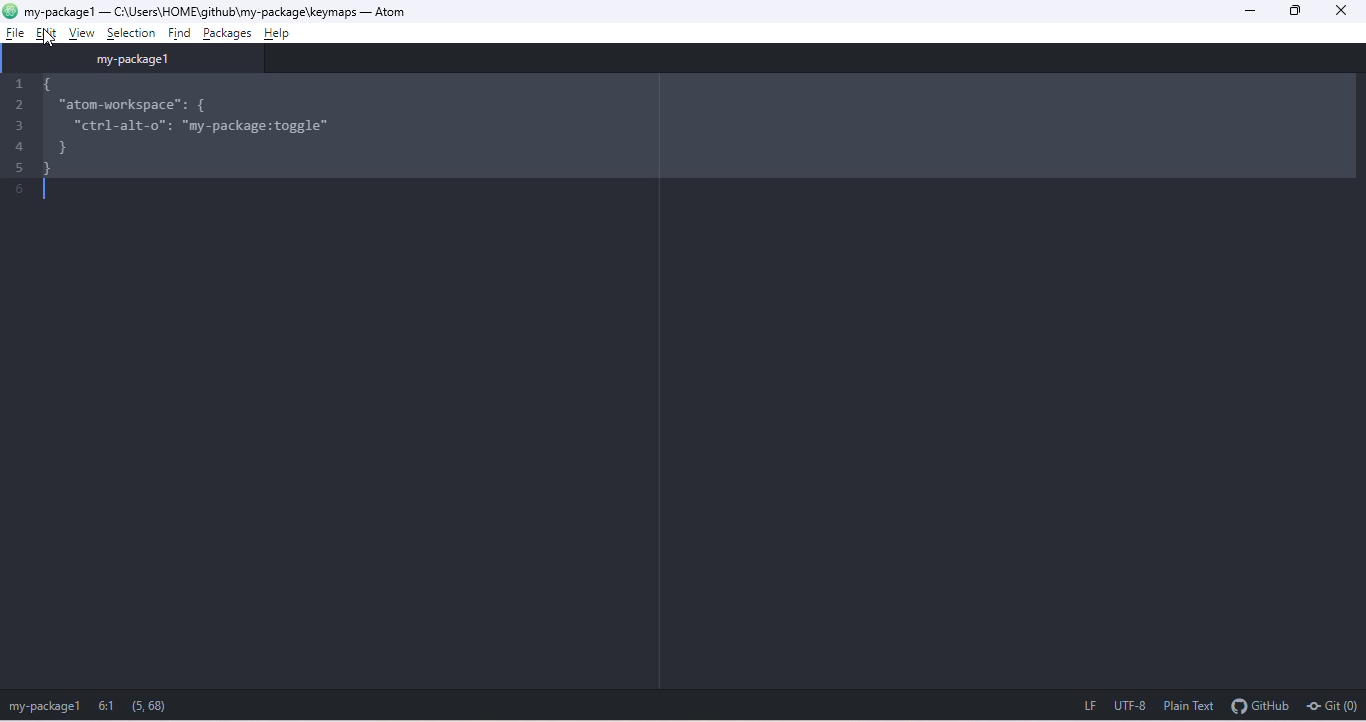  Describe the element at coordinates (1253, 10) in the screenshot. I see `minimize` at that location.